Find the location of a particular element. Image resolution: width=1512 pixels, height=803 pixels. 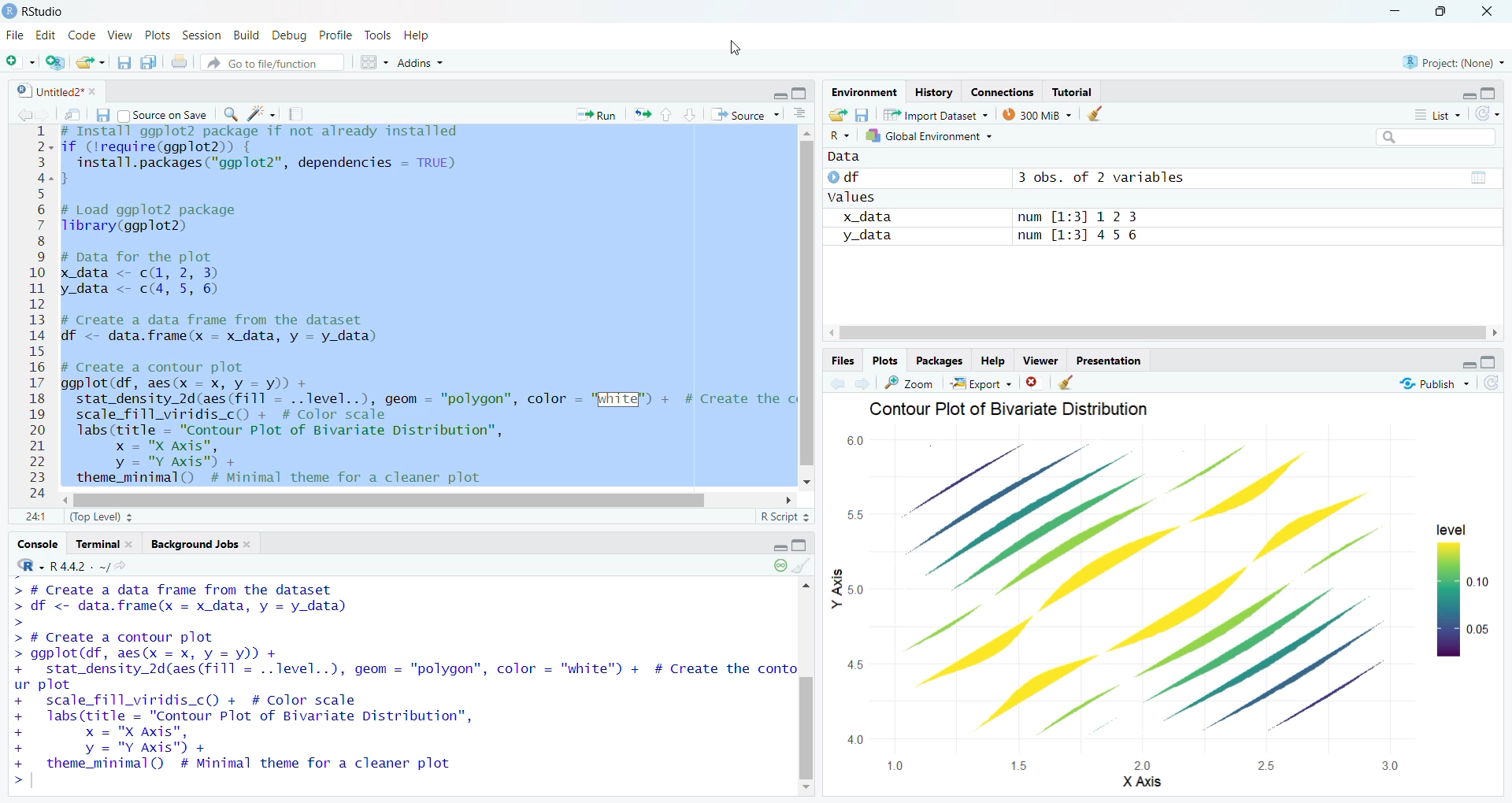

Help is located at coordinates (419, 37).